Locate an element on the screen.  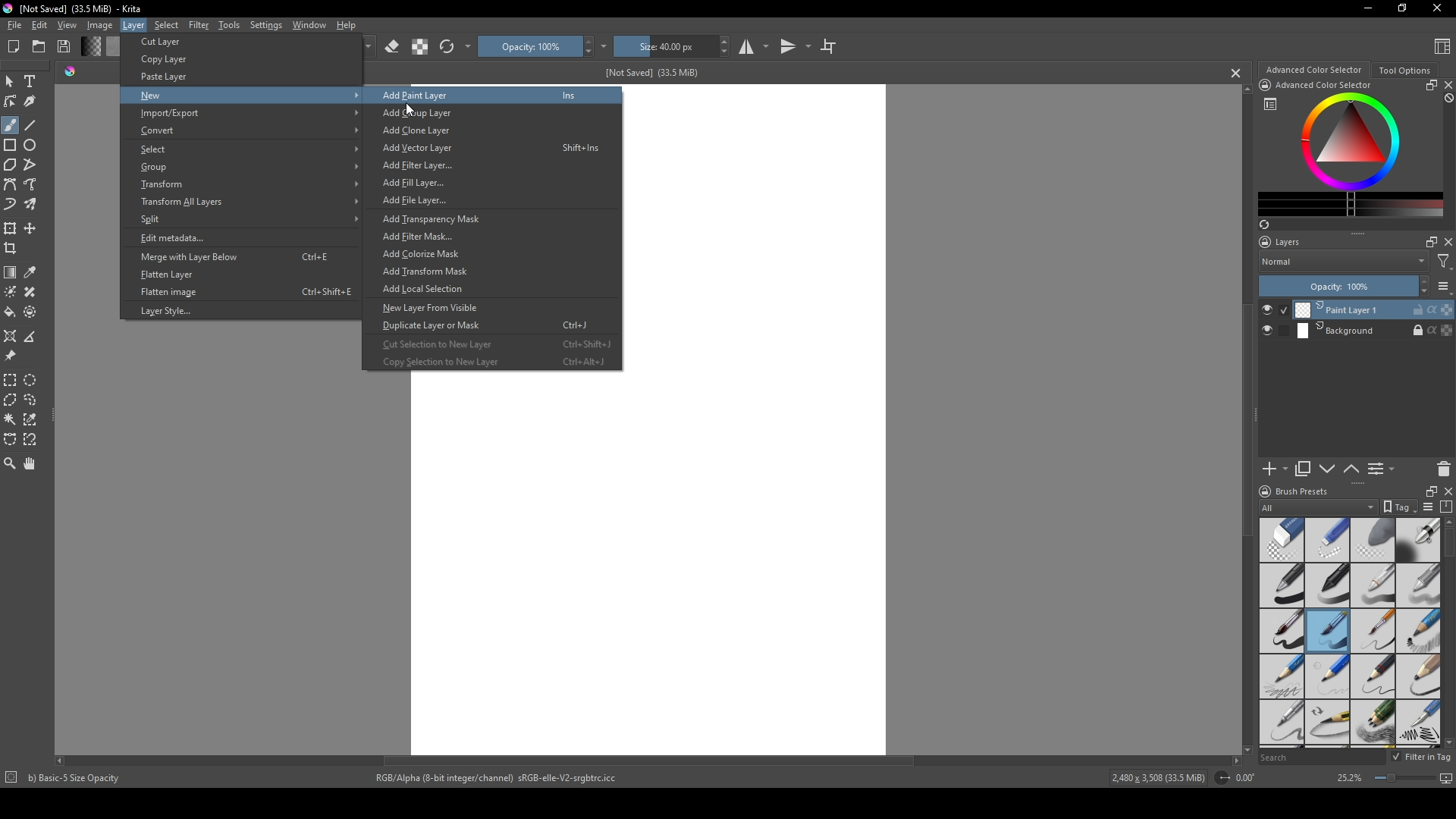
New is located at coordinates (246, 96).